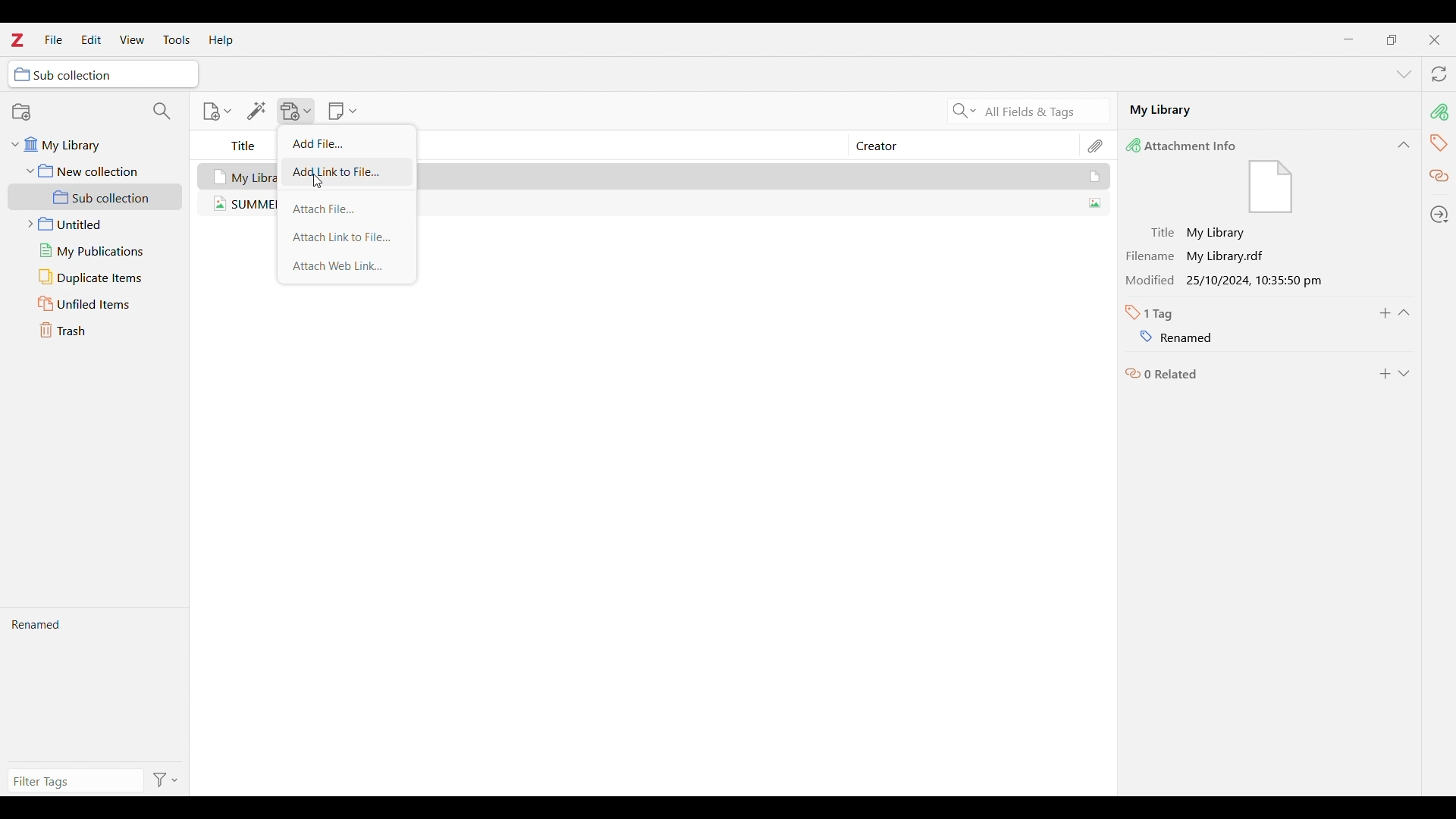  What do you see at coordinates (217, 111) in the screenshot?
I see `New item options` at bounding box center [217, 111].